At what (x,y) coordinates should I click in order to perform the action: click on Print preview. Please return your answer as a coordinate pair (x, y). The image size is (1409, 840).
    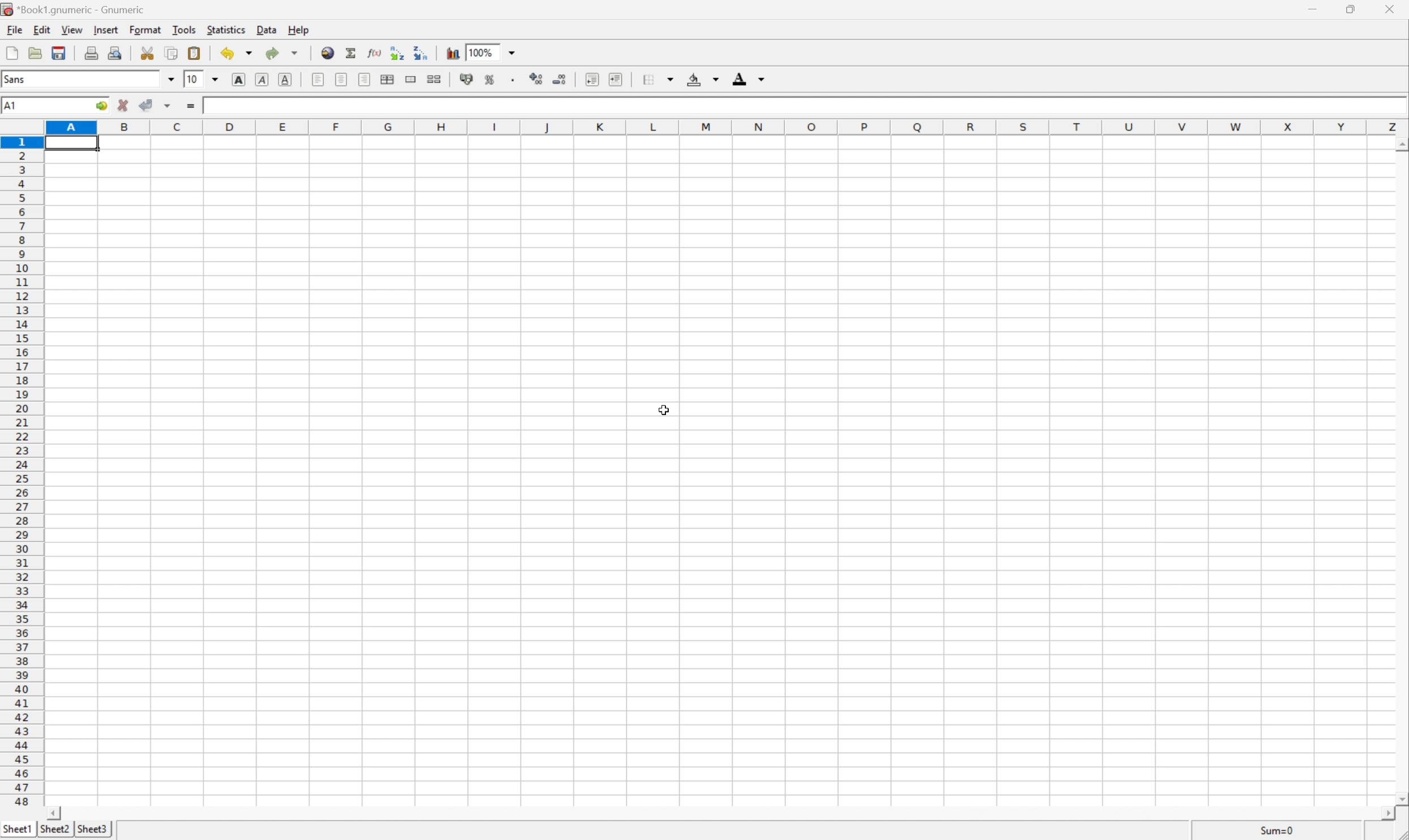
    Looking at the image, I should click on (114, 53).